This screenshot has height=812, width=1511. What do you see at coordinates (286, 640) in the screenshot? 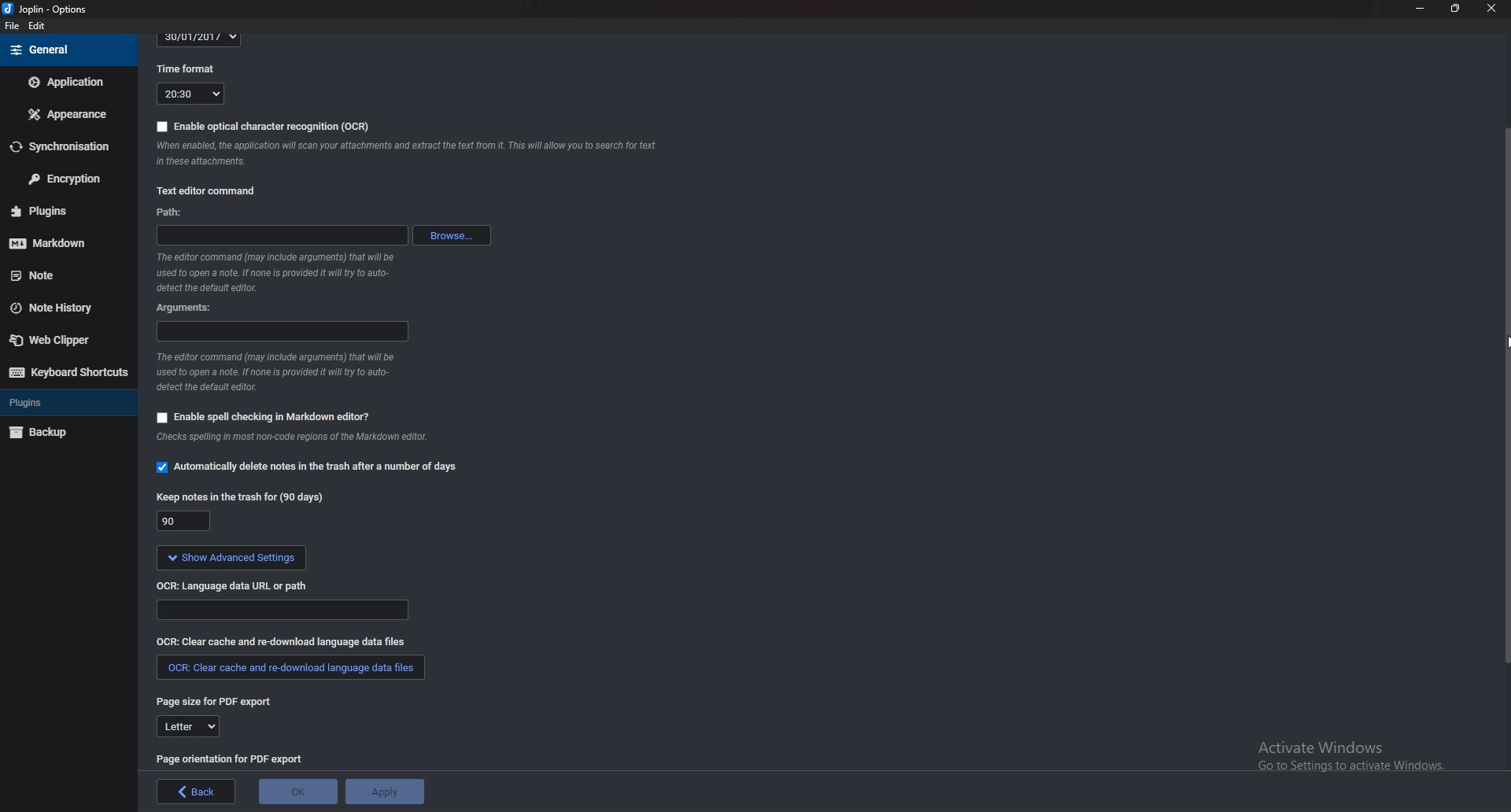
I see `Clear cache and redownload Language data` at bounding box center [286, 640].